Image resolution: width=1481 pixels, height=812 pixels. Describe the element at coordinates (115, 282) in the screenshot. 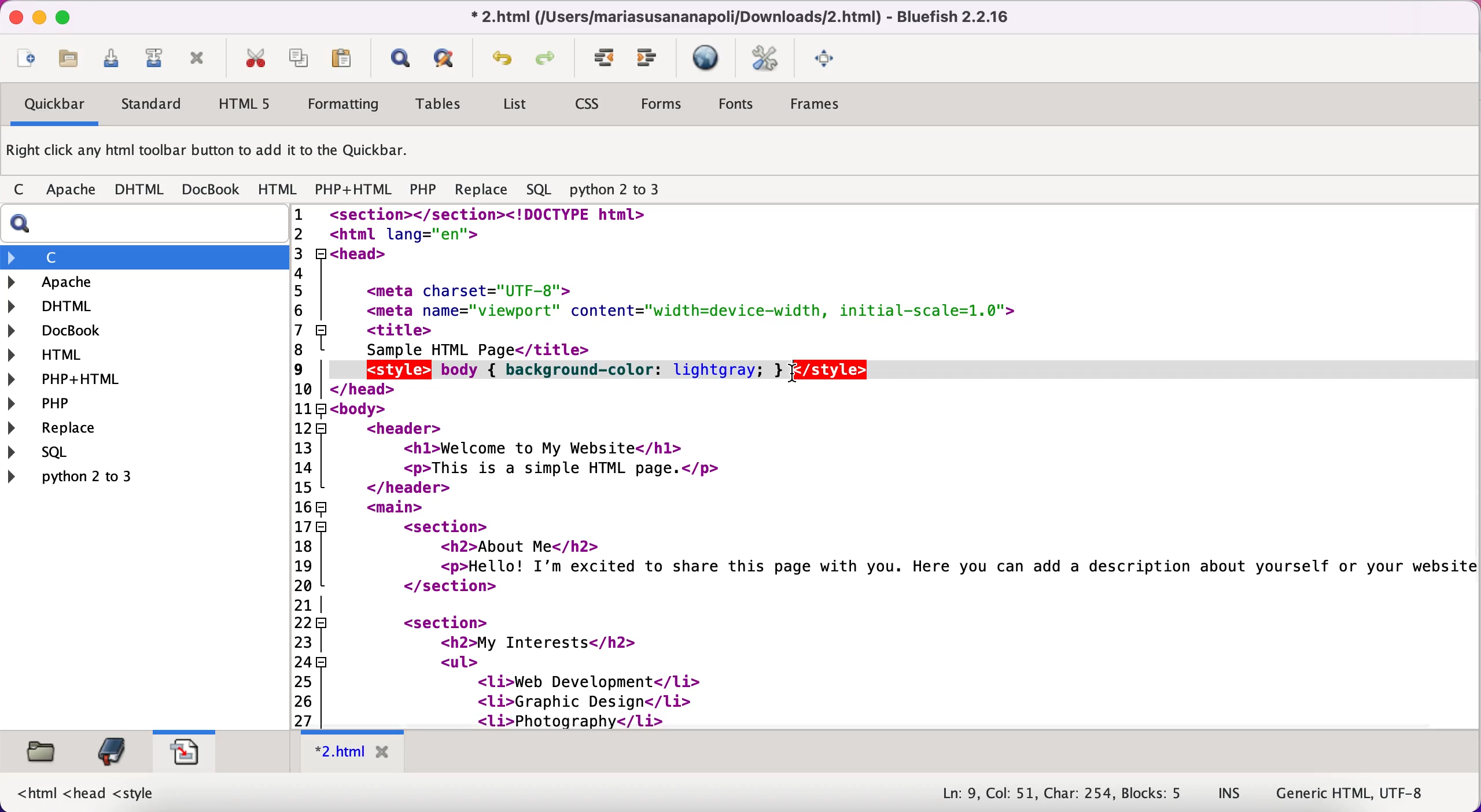

I see `apache` at that location.